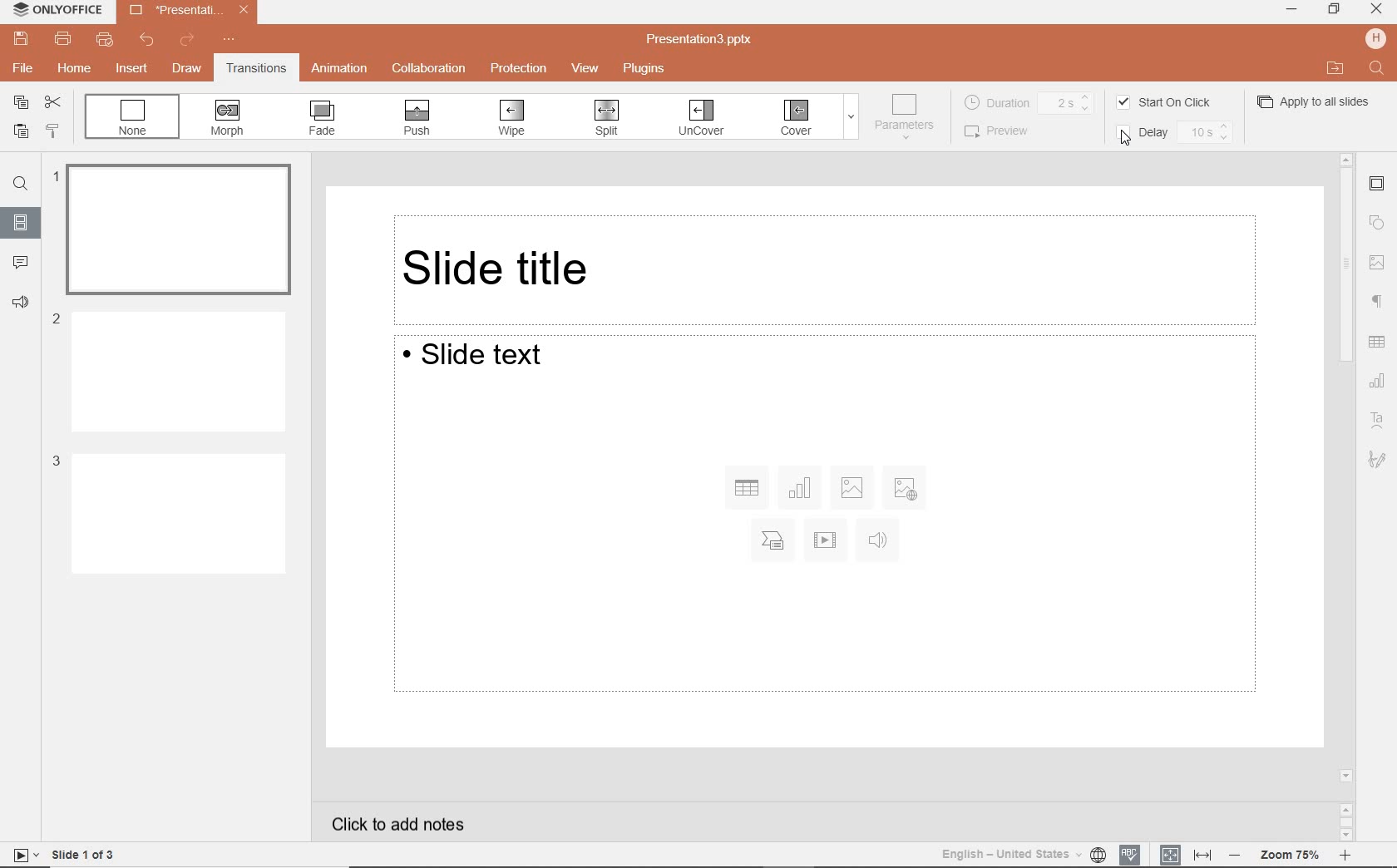 Image resolution: width=1397 pixels, height=868 pixels. I want to click on feedback & support, so click(23, 306).